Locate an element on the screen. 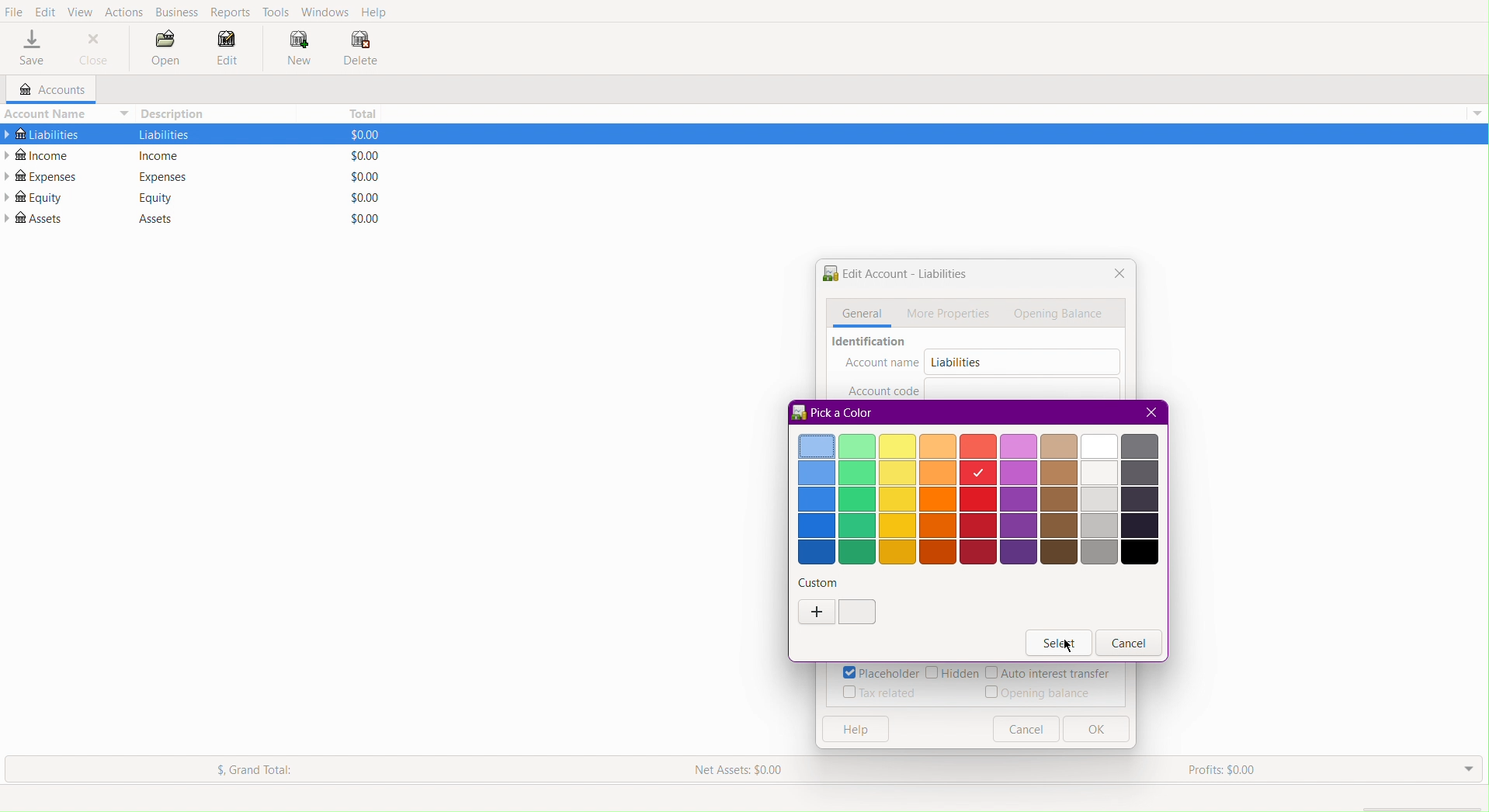  Windows is located at coordinates (325, 11).